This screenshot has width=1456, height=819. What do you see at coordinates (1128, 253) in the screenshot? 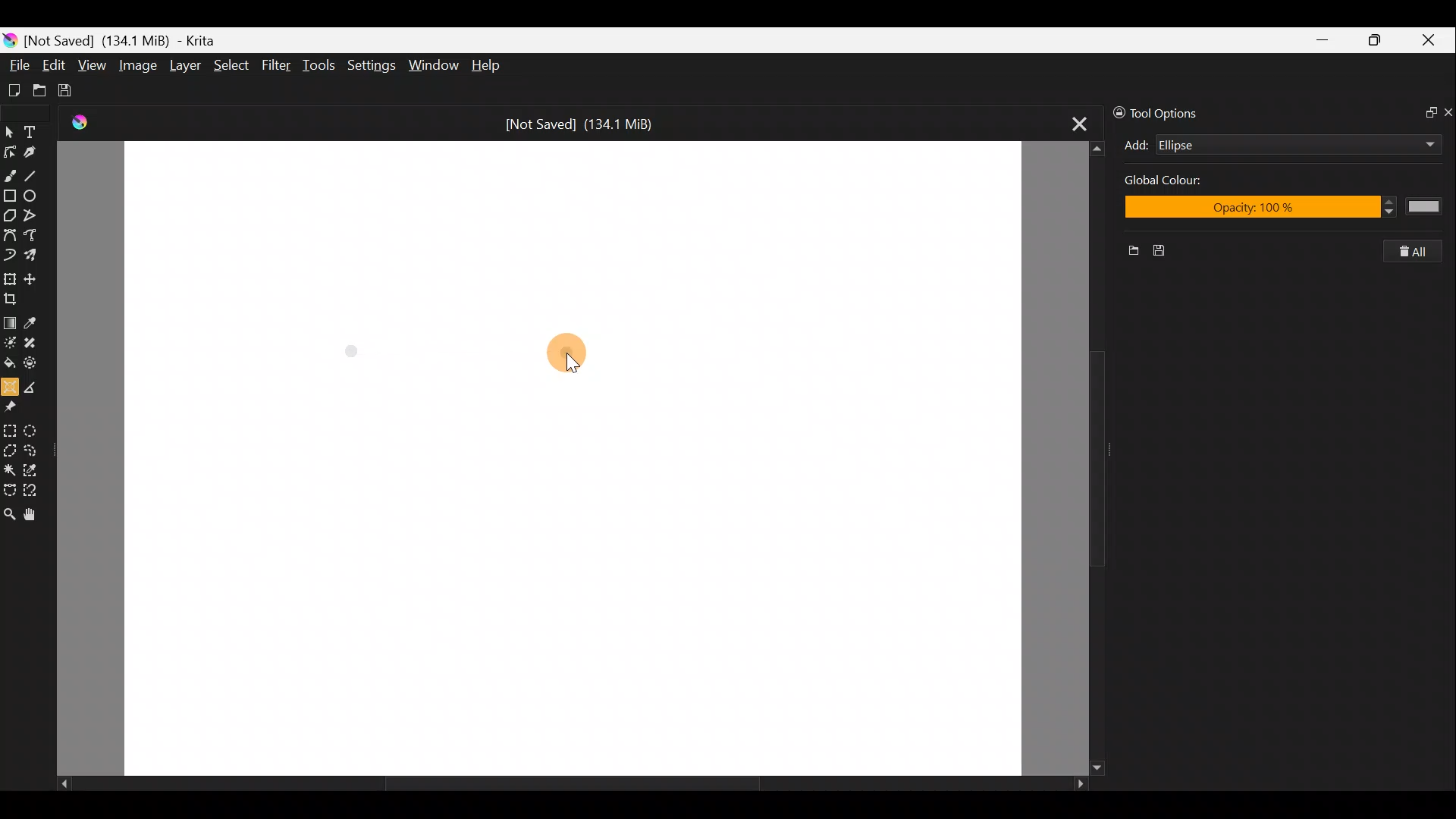
I see `New` at bounding box center [1128, 253].